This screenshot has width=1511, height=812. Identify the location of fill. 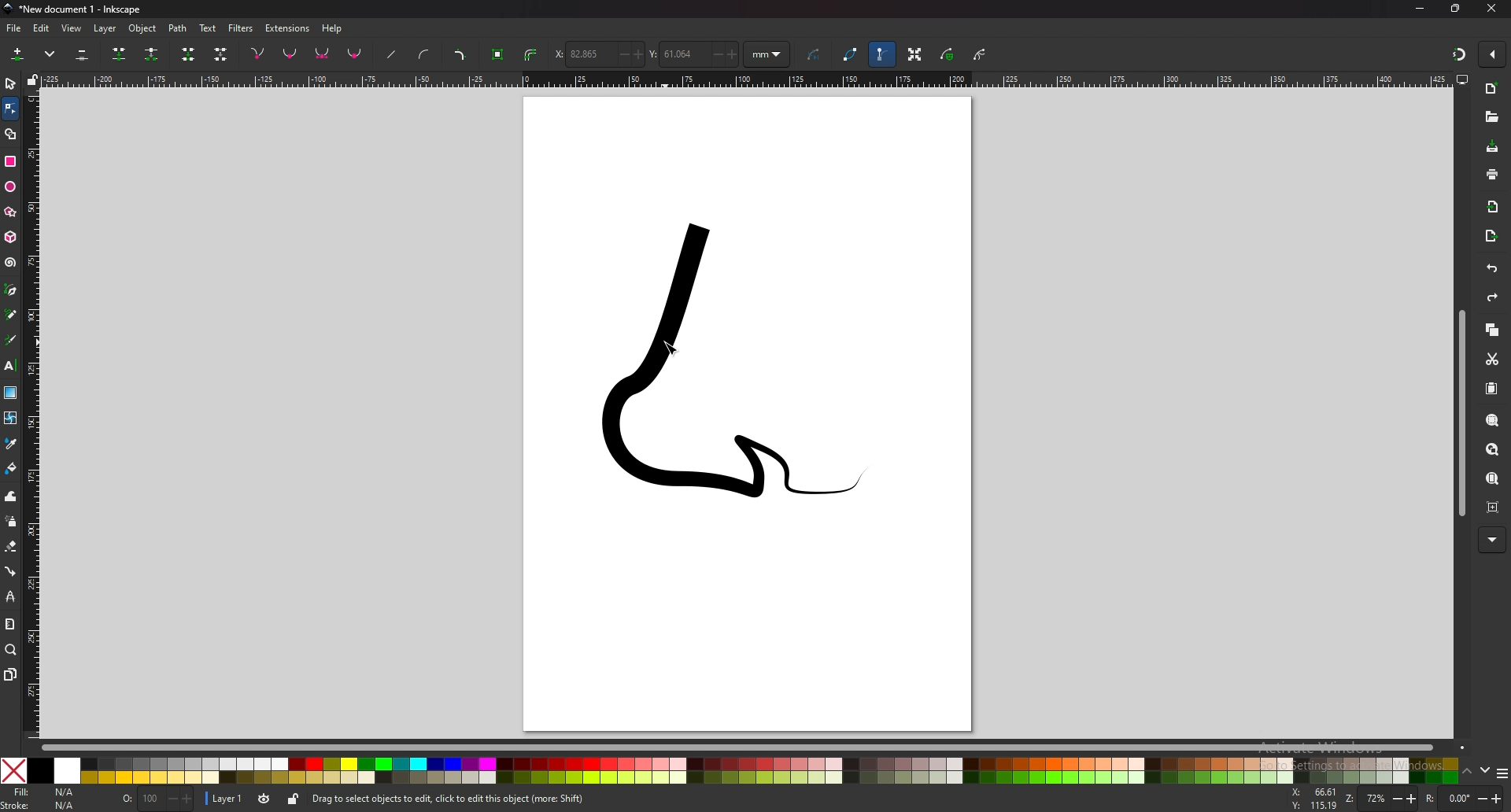
(44, 792).